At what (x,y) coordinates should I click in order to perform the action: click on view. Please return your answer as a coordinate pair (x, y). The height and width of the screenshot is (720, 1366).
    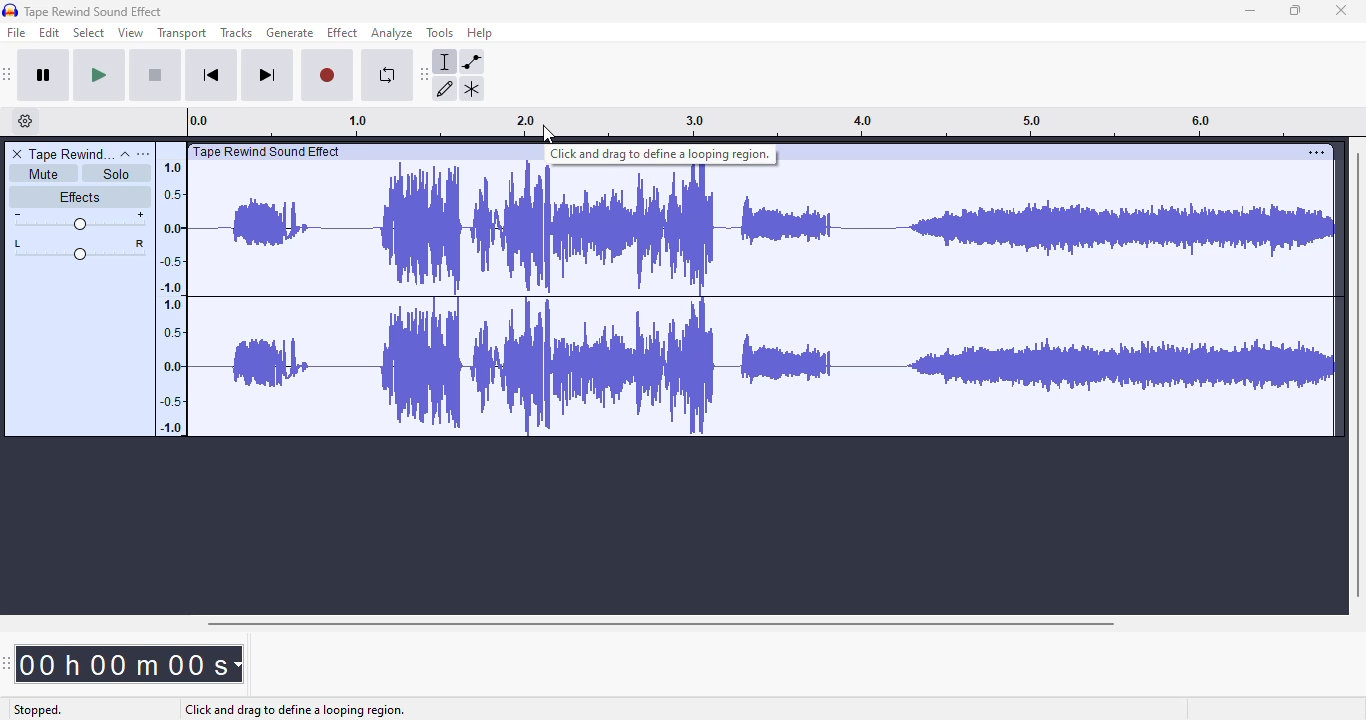
    Looking at the image, I should click on (131, 33).